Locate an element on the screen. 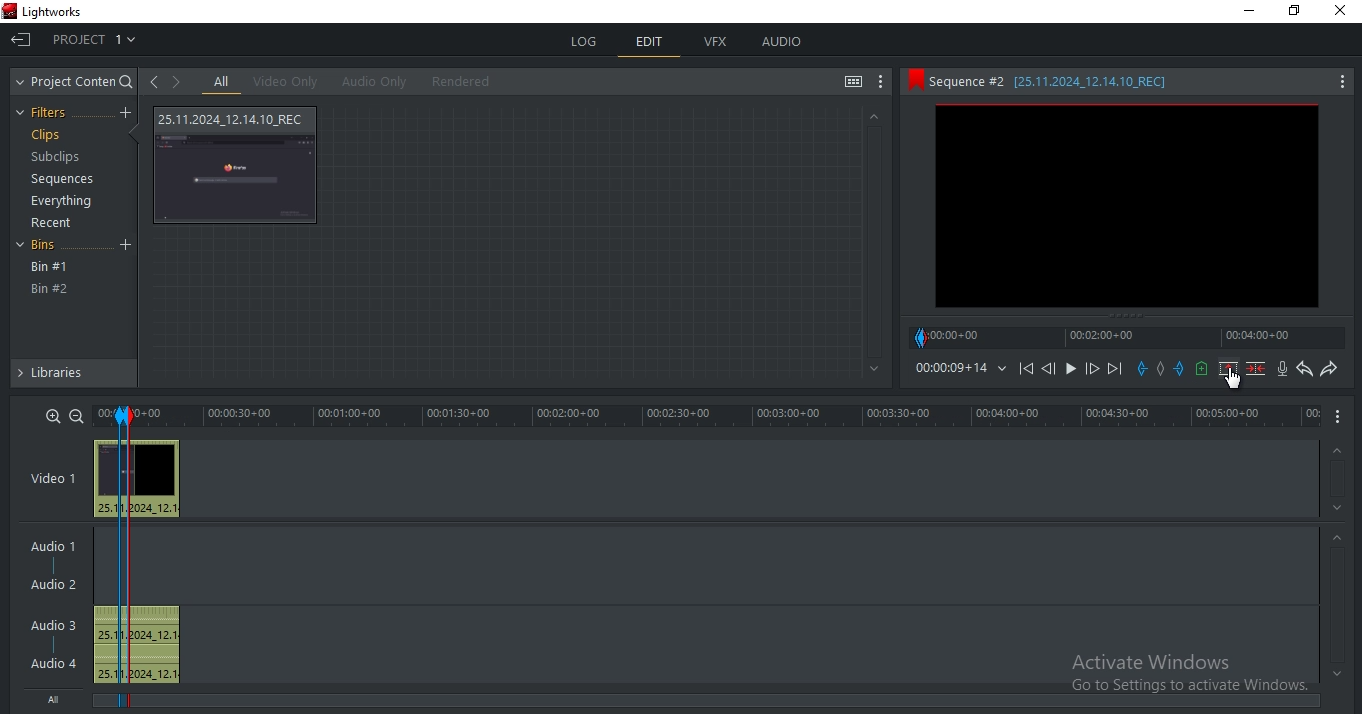 The height and width of the screenshot is (714, 1362). sequence #2 is located at coordinates (1105, 82).